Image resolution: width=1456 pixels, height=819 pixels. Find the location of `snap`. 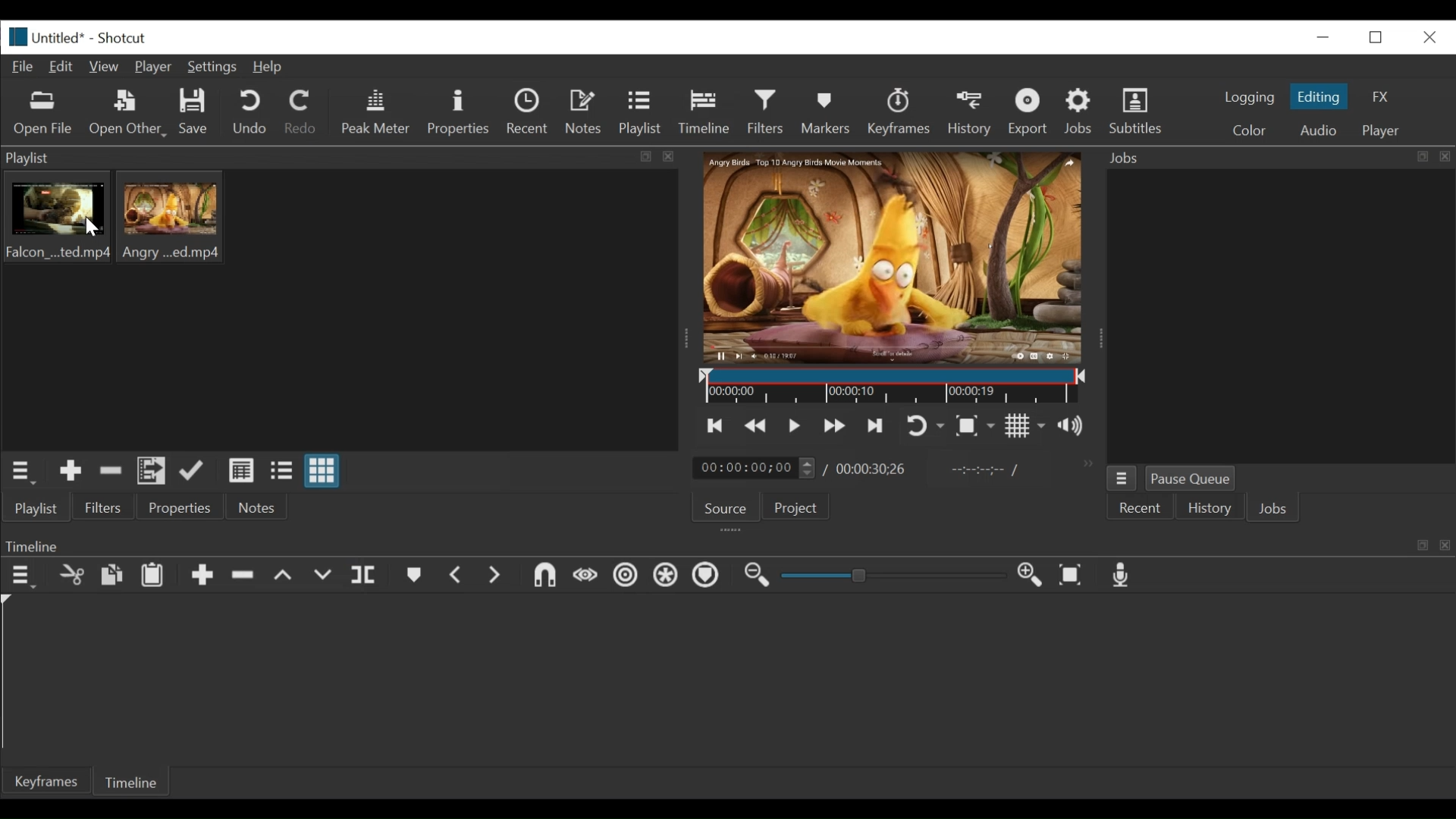

snap is located at coordinates (547, 577).